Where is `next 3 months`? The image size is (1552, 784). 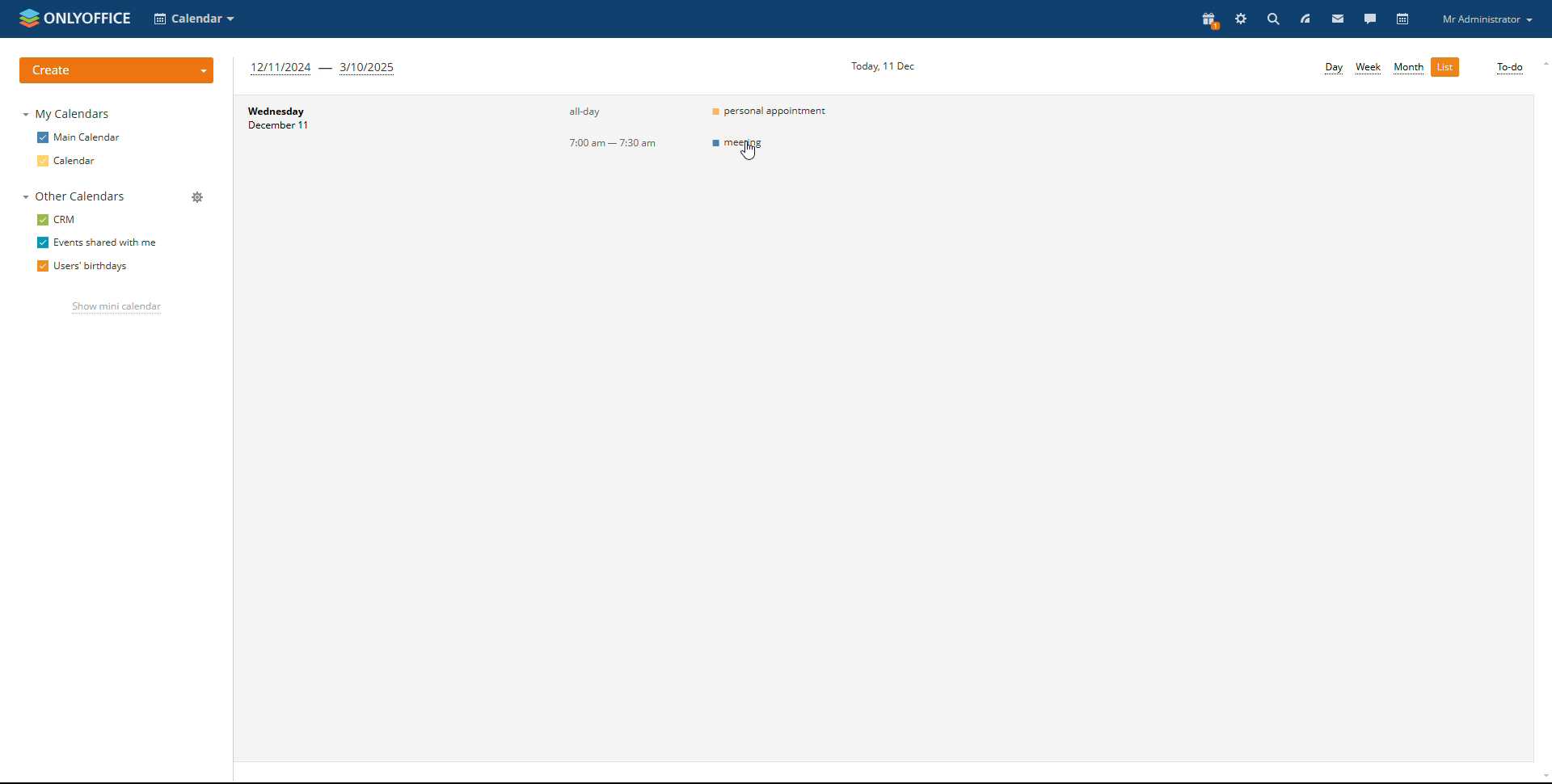
next 3 months is located at coordinates (323, 68).